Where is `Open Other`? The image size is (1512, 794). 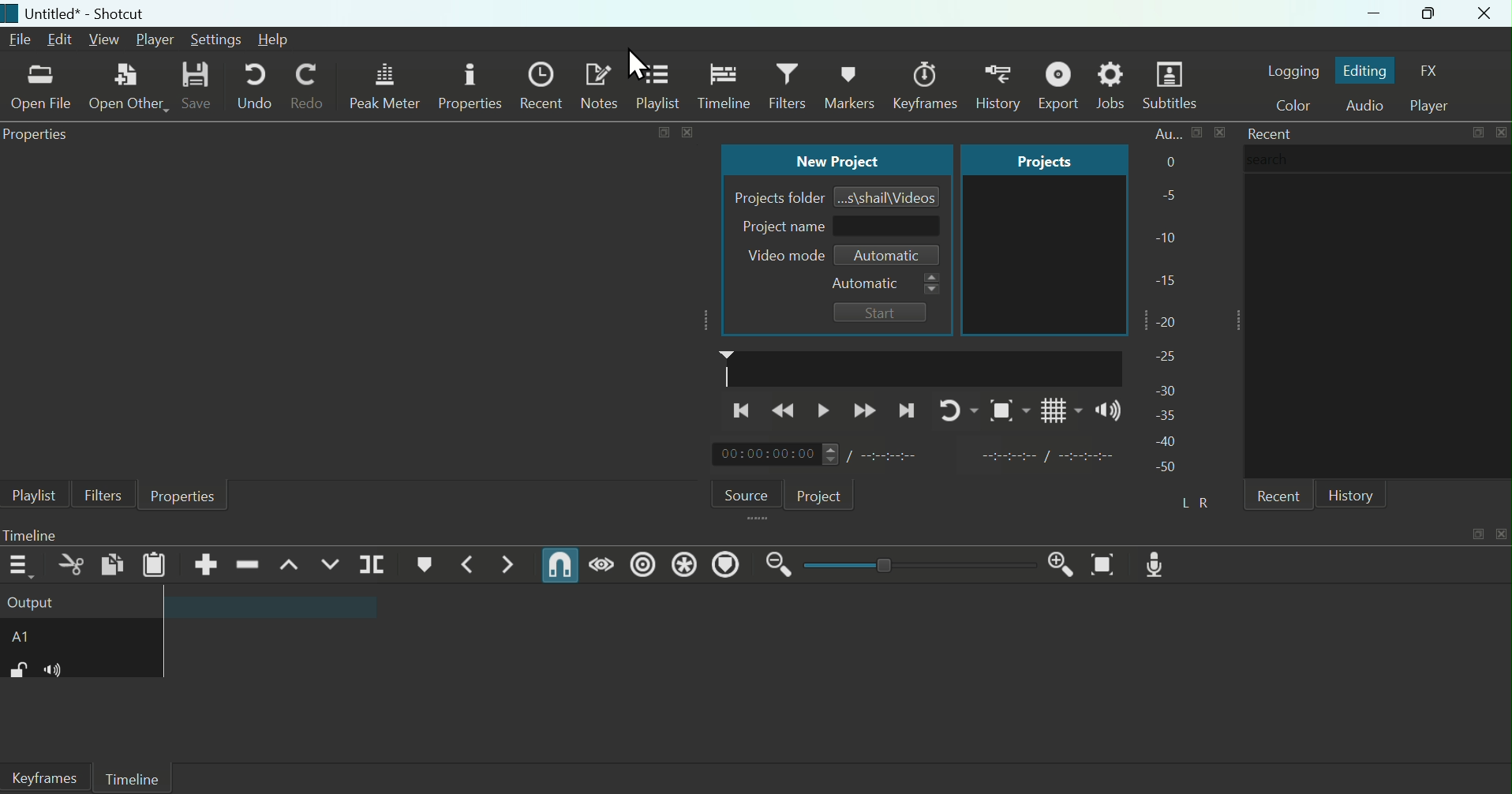 Open Other is located at coordinates (127, 87).